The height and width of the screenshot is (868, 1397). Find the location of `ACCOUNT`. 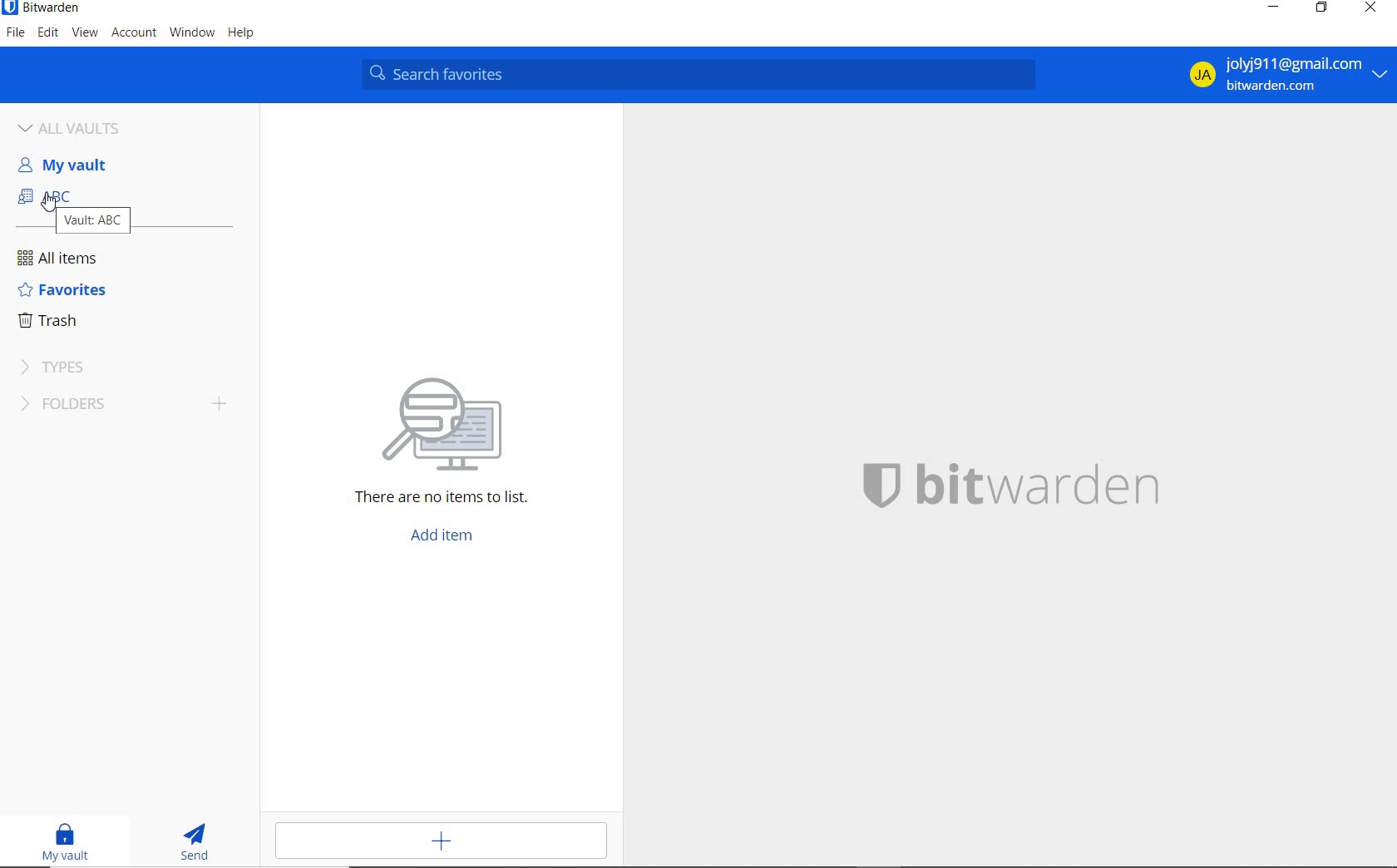

ACCOUNT is located at coordinates (136, 32).